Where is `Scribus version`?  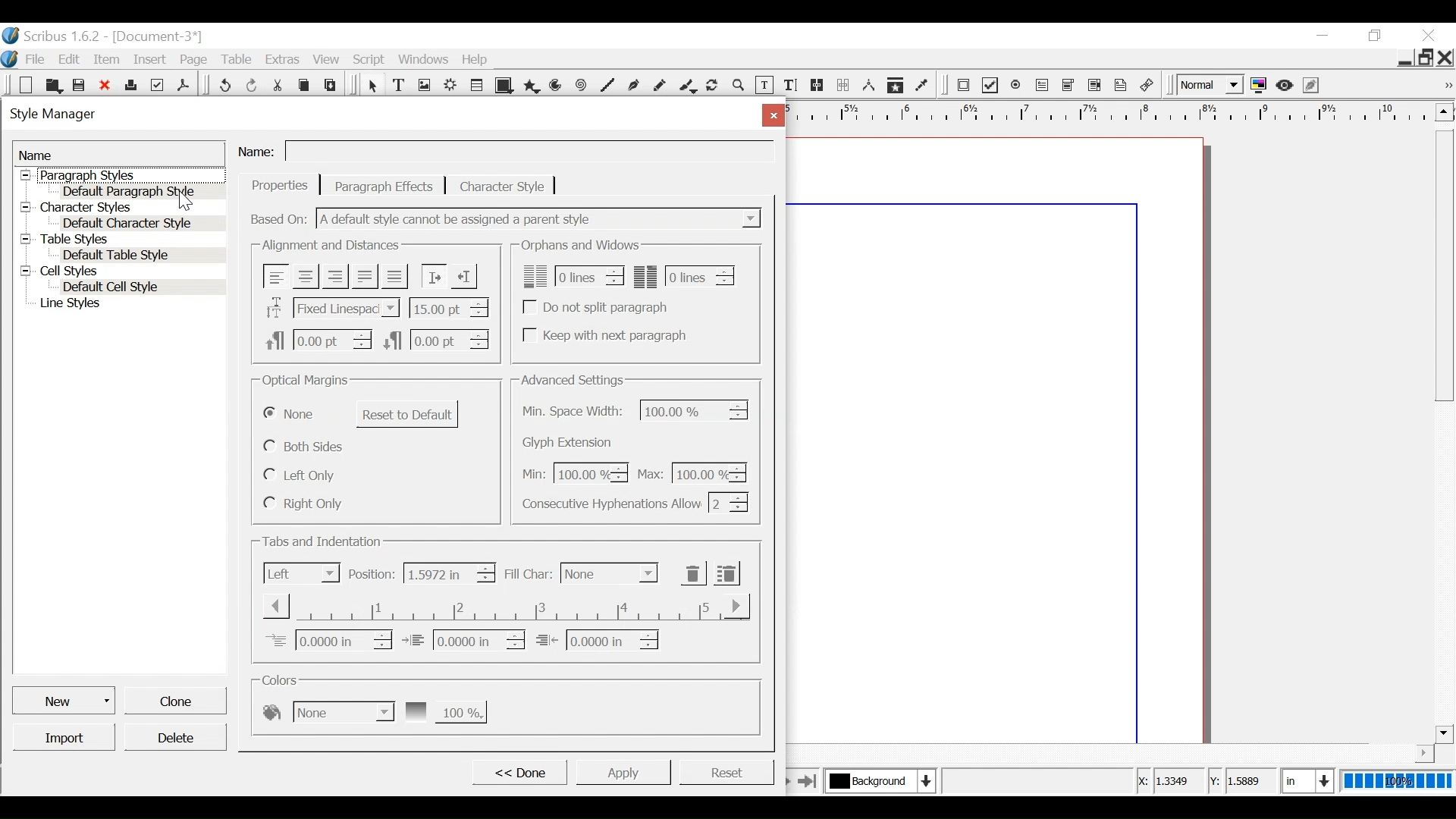 Scribus version is located at coordinates (52, 36).